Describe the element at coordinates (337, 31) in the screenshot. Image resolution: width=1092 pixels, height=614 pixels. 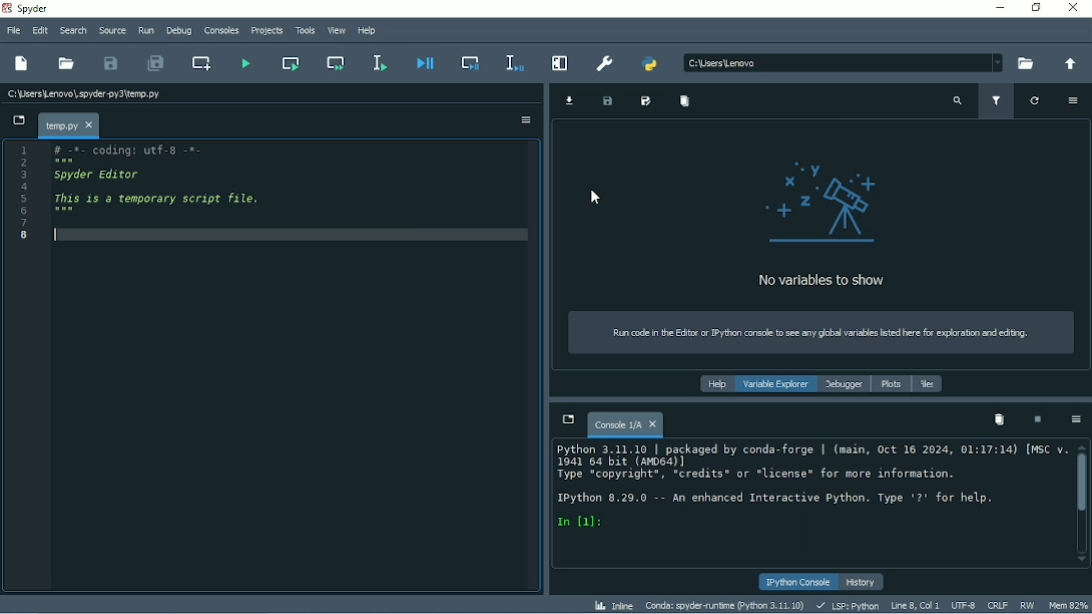
I see `View` at that location.